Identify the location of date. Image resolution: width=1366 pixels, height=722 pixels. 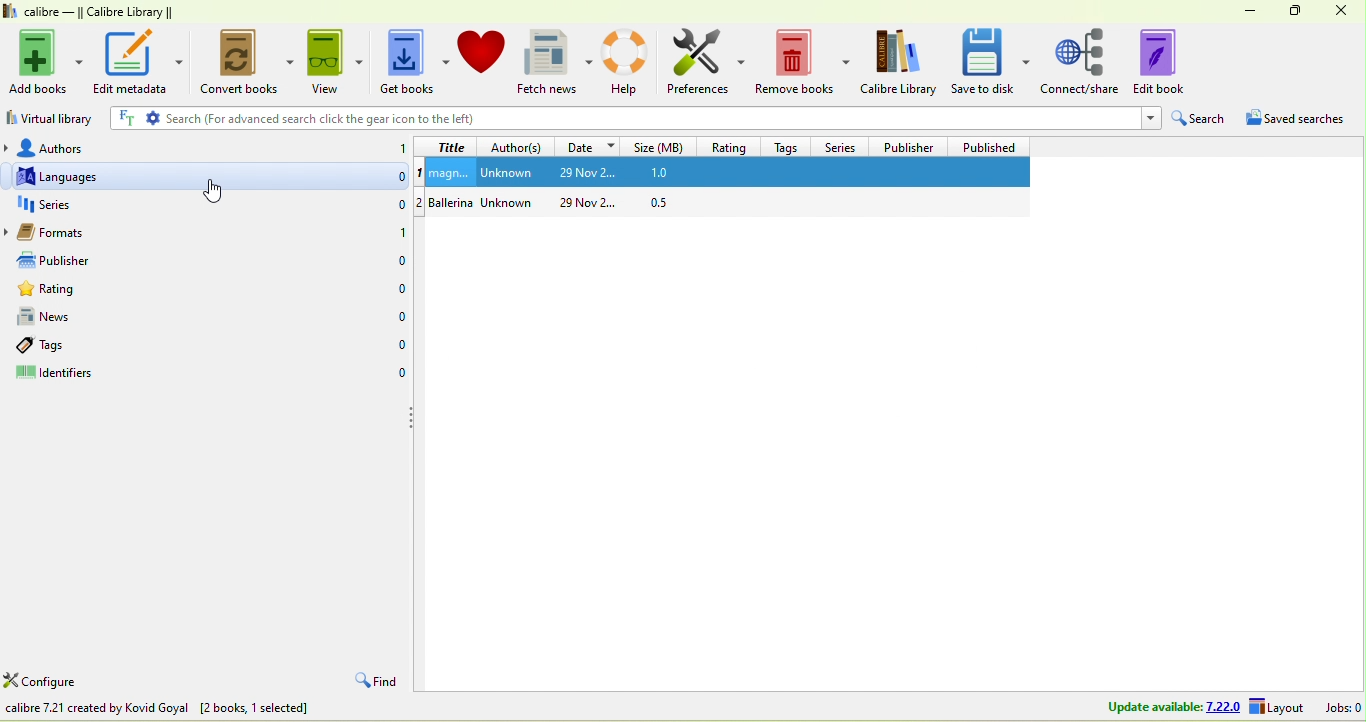
(580, 147).